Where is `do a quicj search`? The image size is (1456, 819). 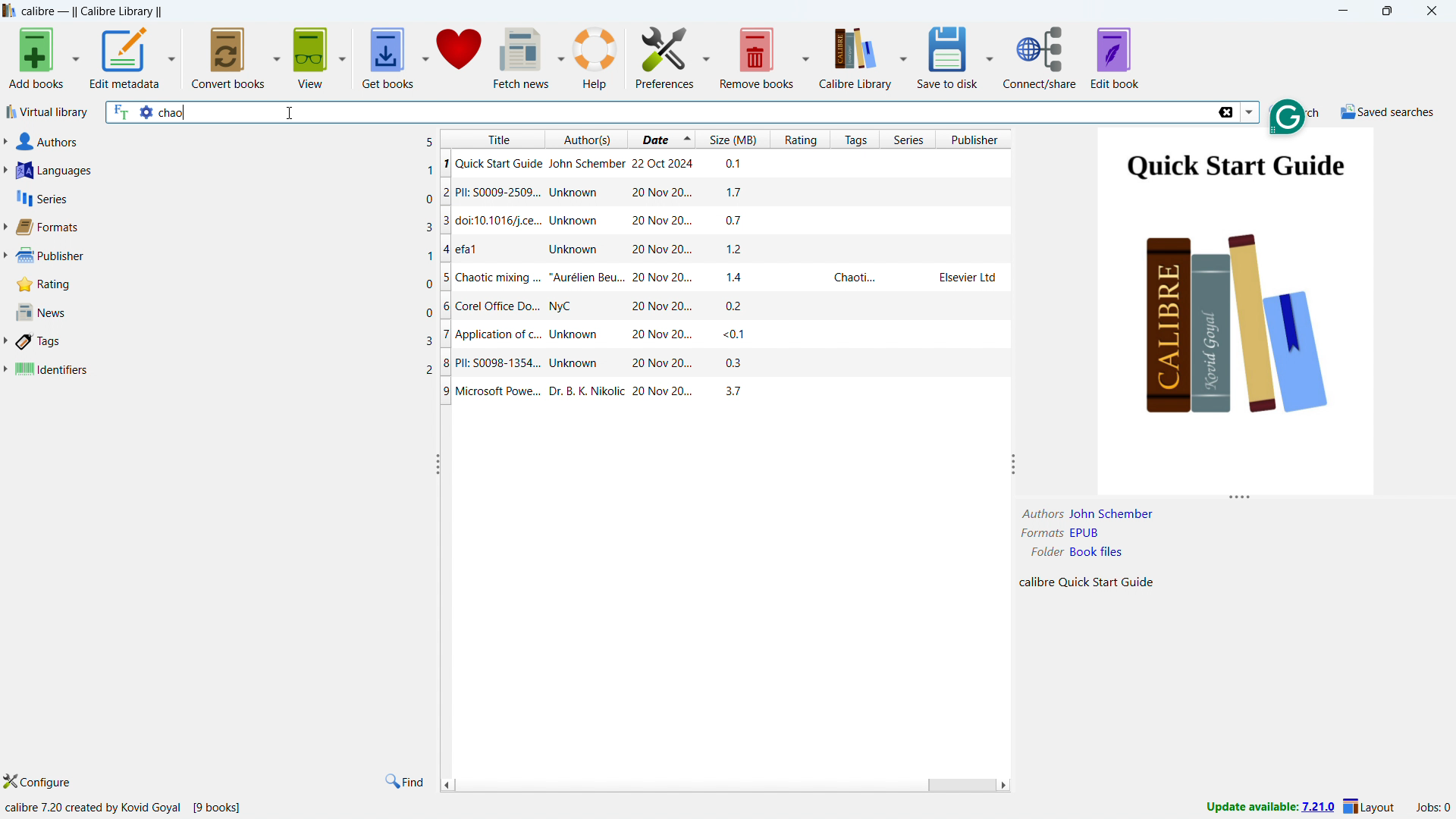
do a quicj search is located at coordinates (1295, 111).